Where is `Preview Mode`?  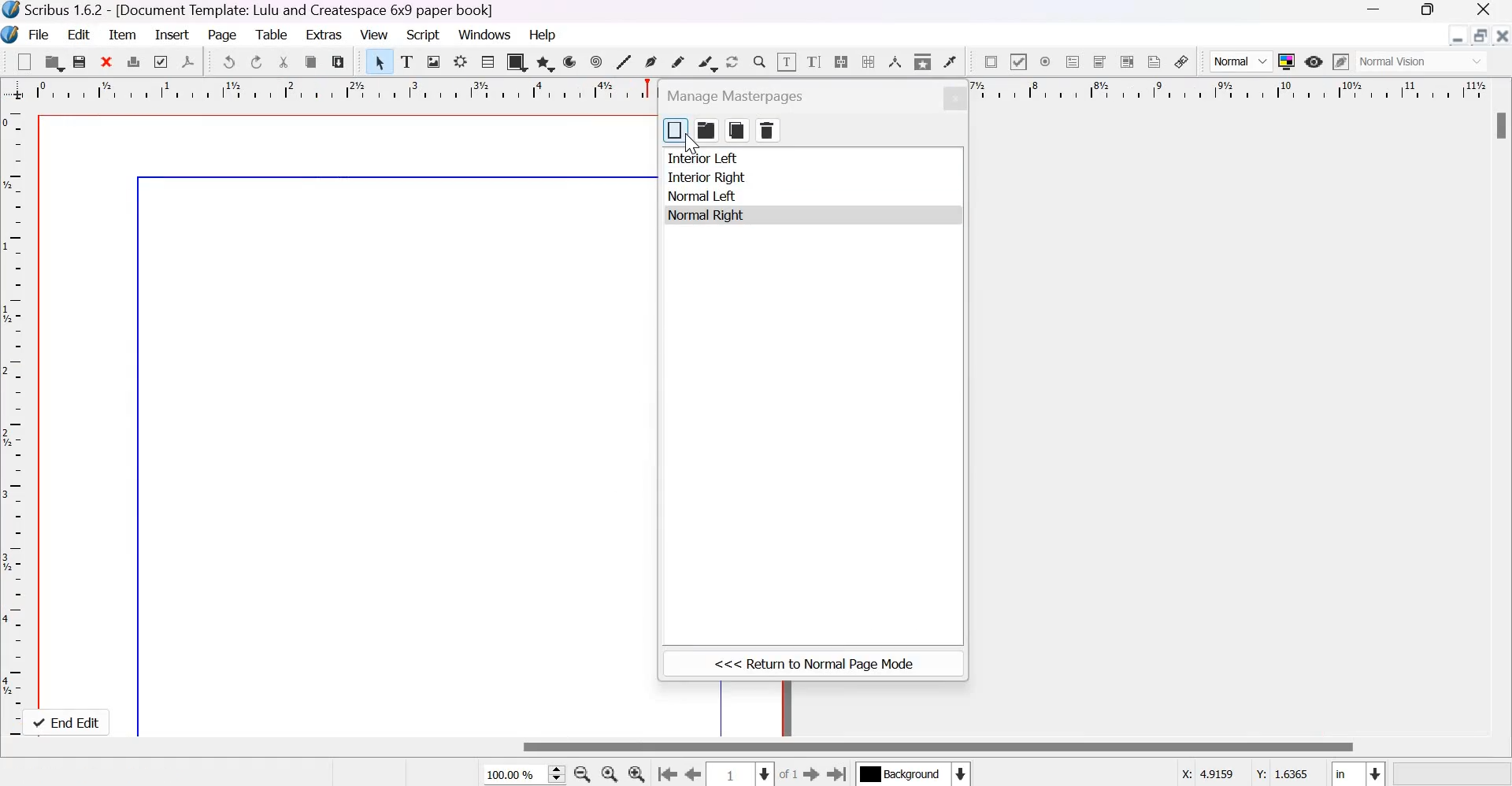
Preview Mode is located at coordinates (1314, 61).